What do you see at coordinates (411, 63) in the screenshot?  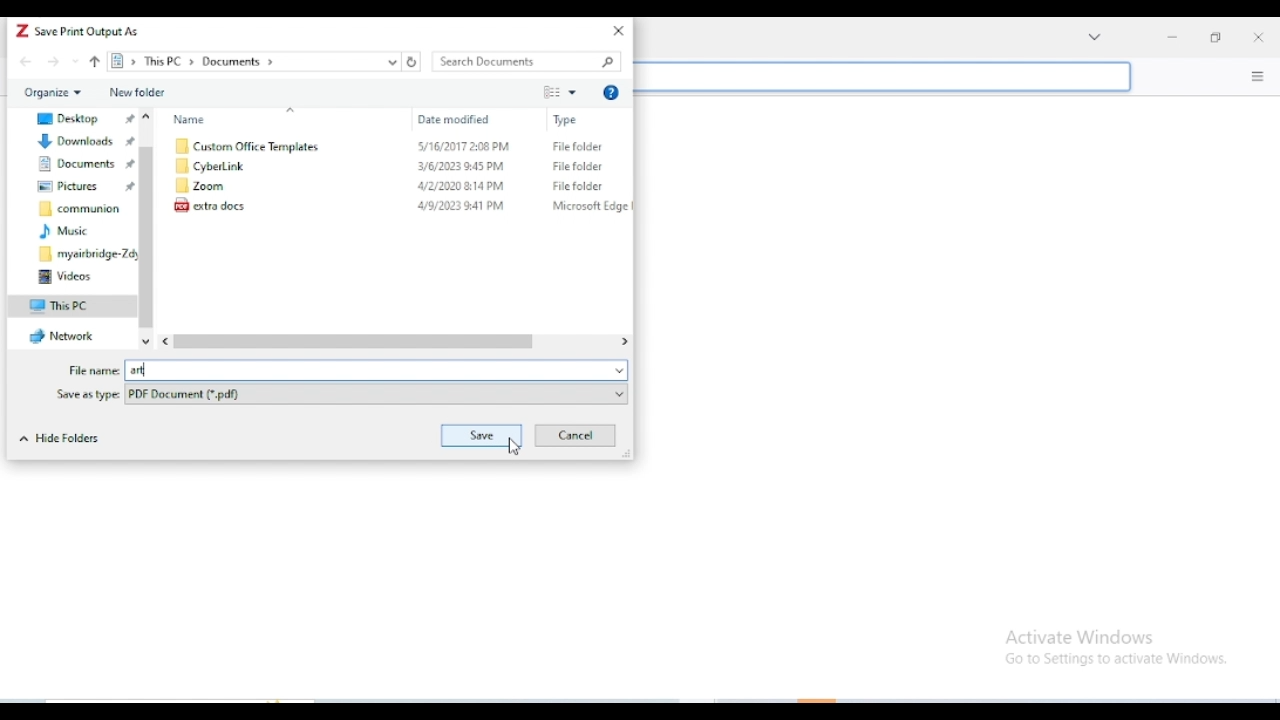 I see `Refresh ` at bounding box center [411, 63].